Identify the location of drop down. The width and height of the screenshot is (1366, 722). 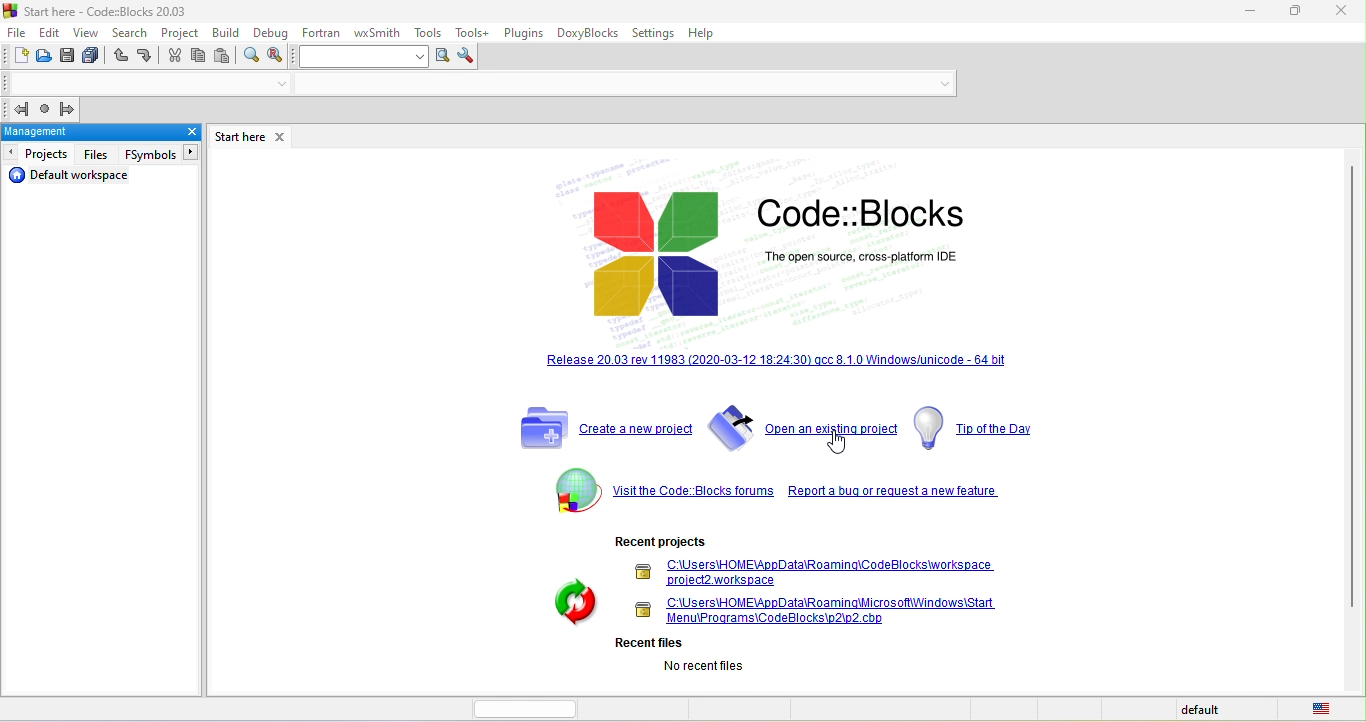
(942, 83).